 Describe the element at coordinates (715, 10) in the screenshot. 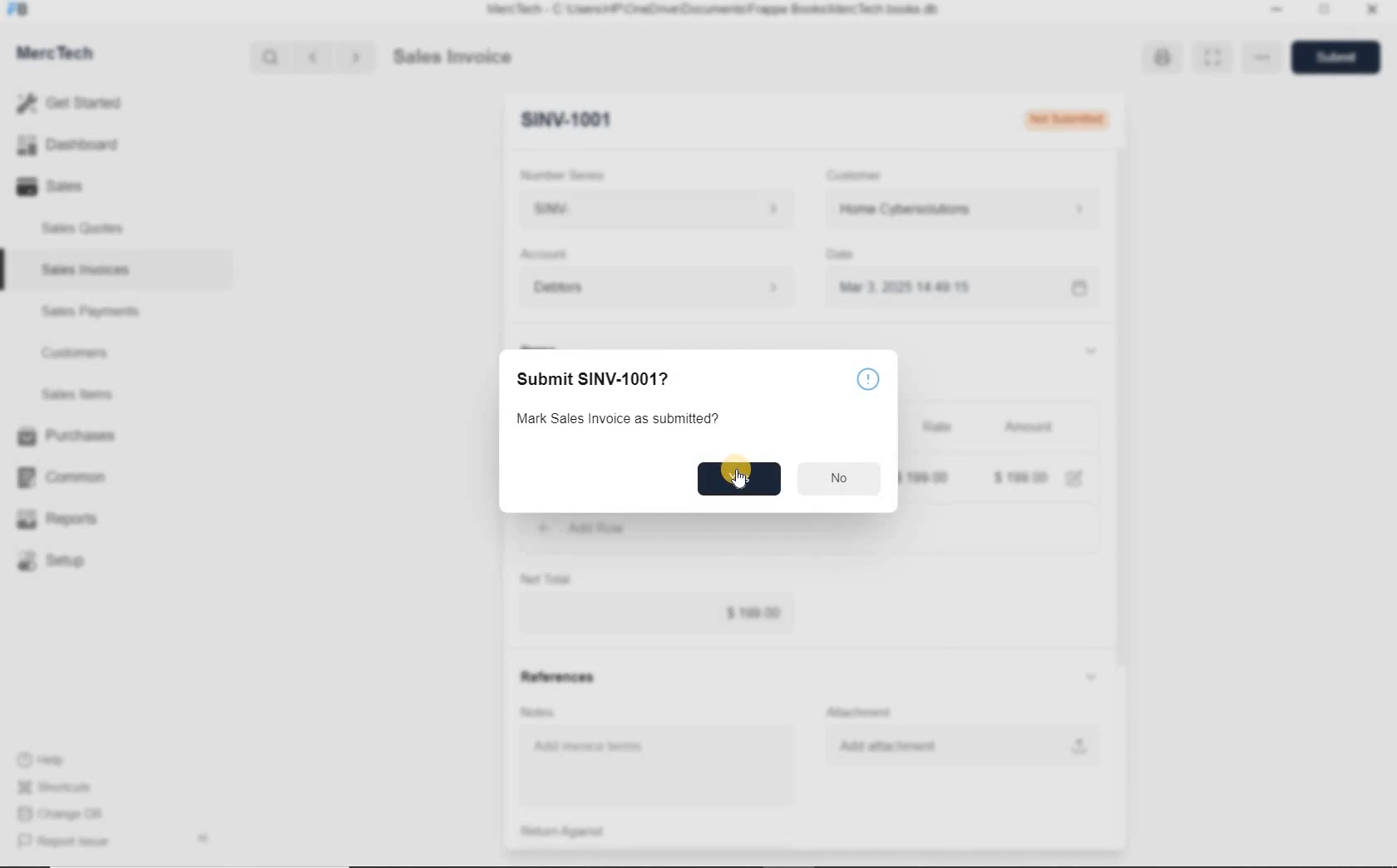

I see `MercTech - C:\Users\HP\OneDrive\Documents\Frappe Books\MercTech books db` at that location.